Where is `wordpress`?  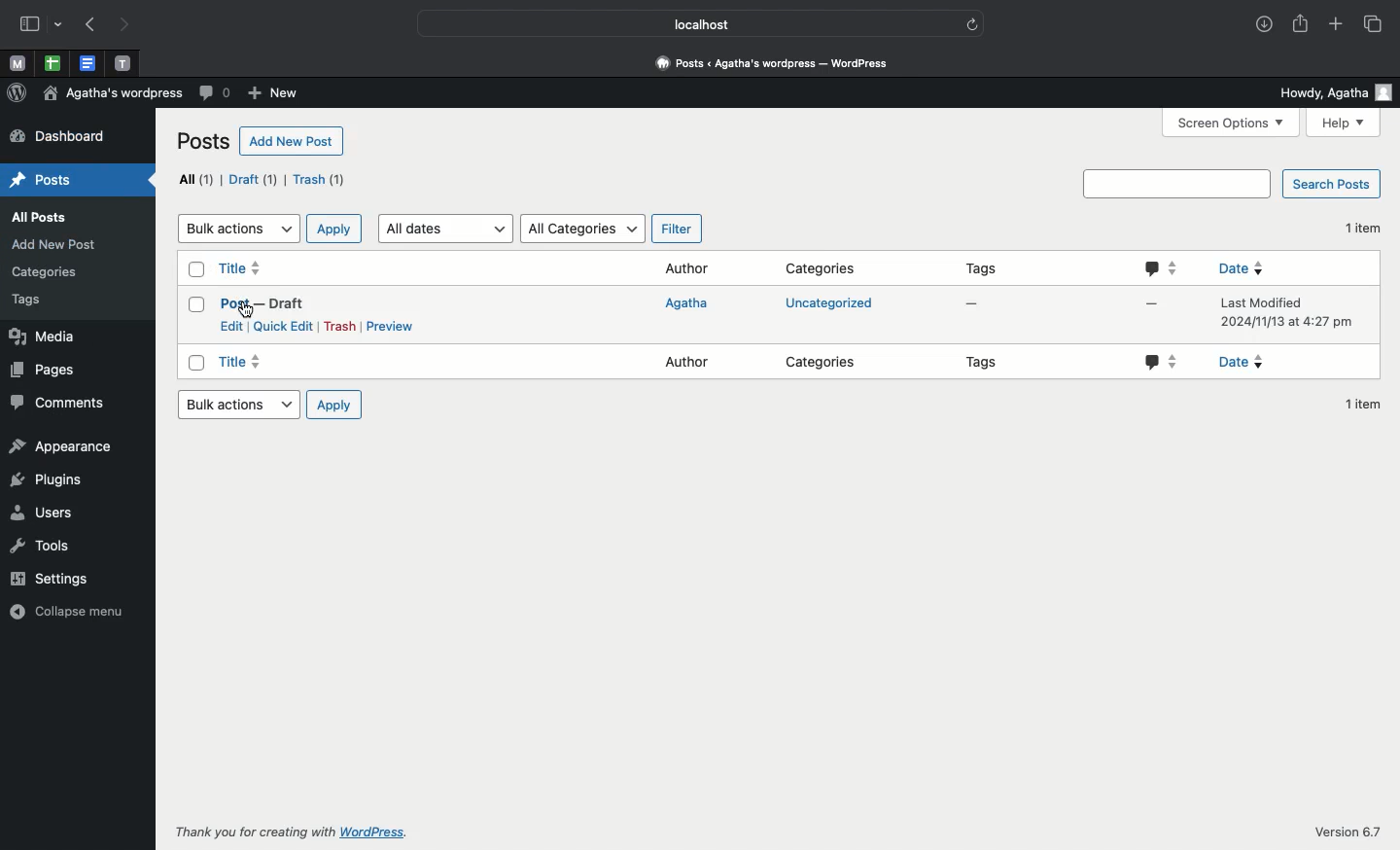 wordpress is located at coordinates (374, 832).